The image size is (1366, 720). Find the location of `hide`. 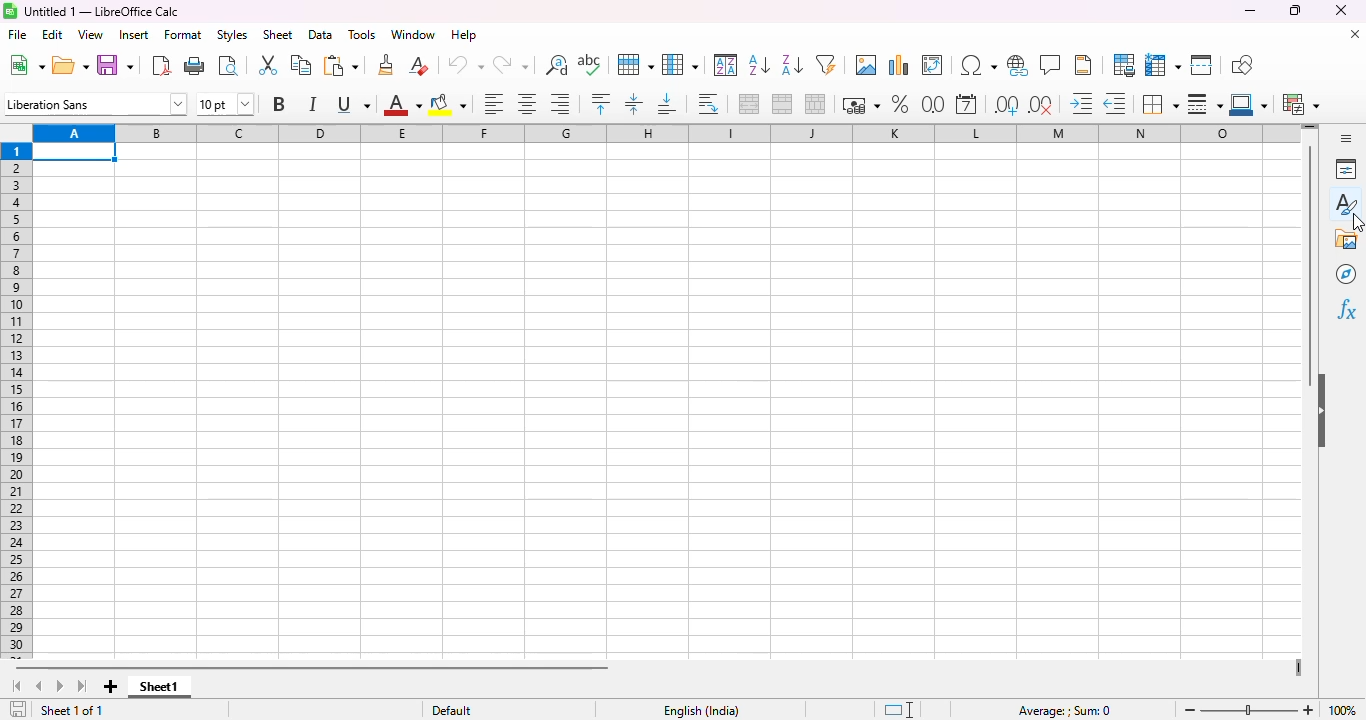

hide is located at coordinates (1321, 410).